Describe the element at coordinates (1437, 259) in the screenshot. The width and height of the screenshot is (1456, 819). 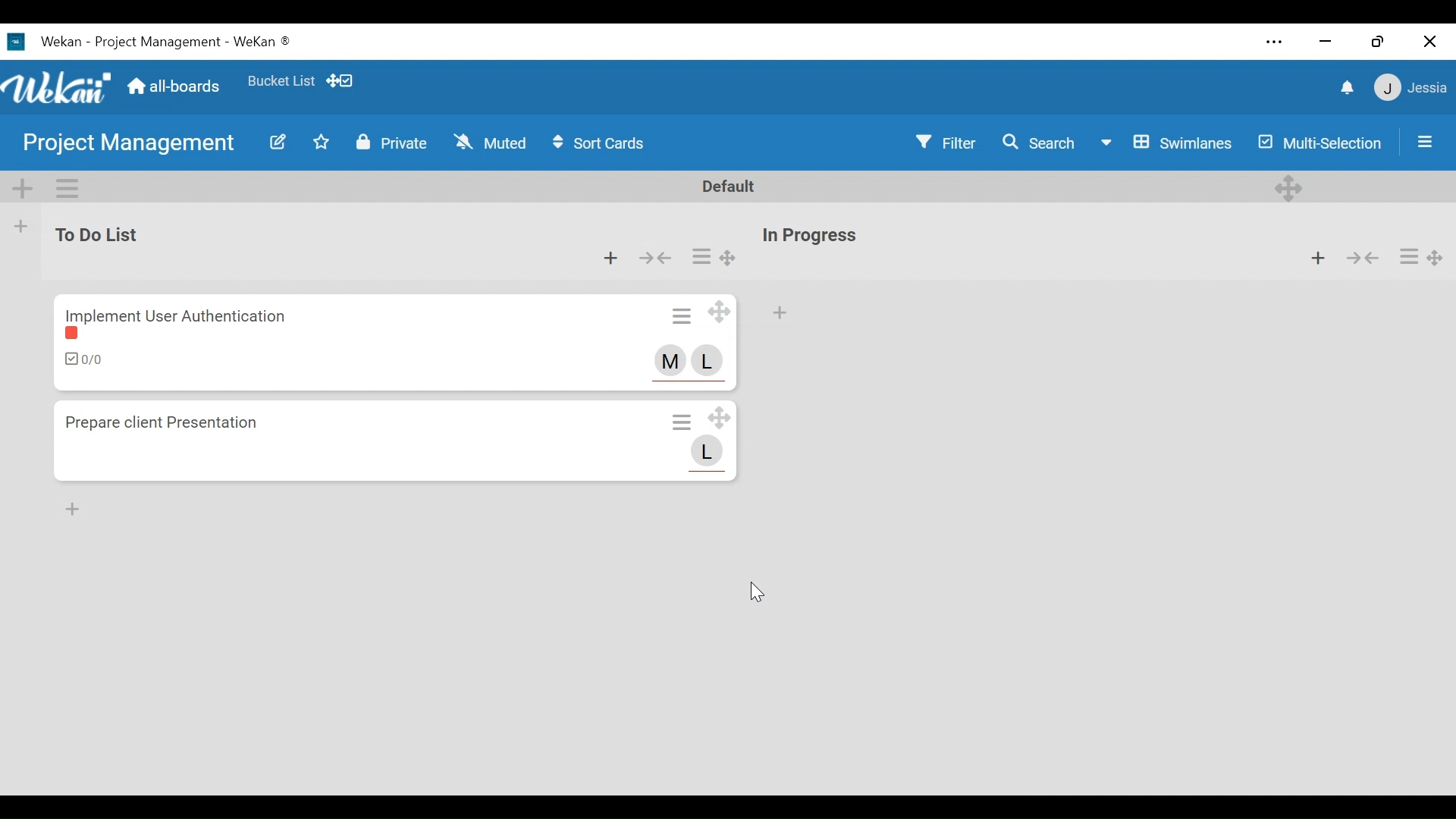
I see `Desktop drag handle` at that location.